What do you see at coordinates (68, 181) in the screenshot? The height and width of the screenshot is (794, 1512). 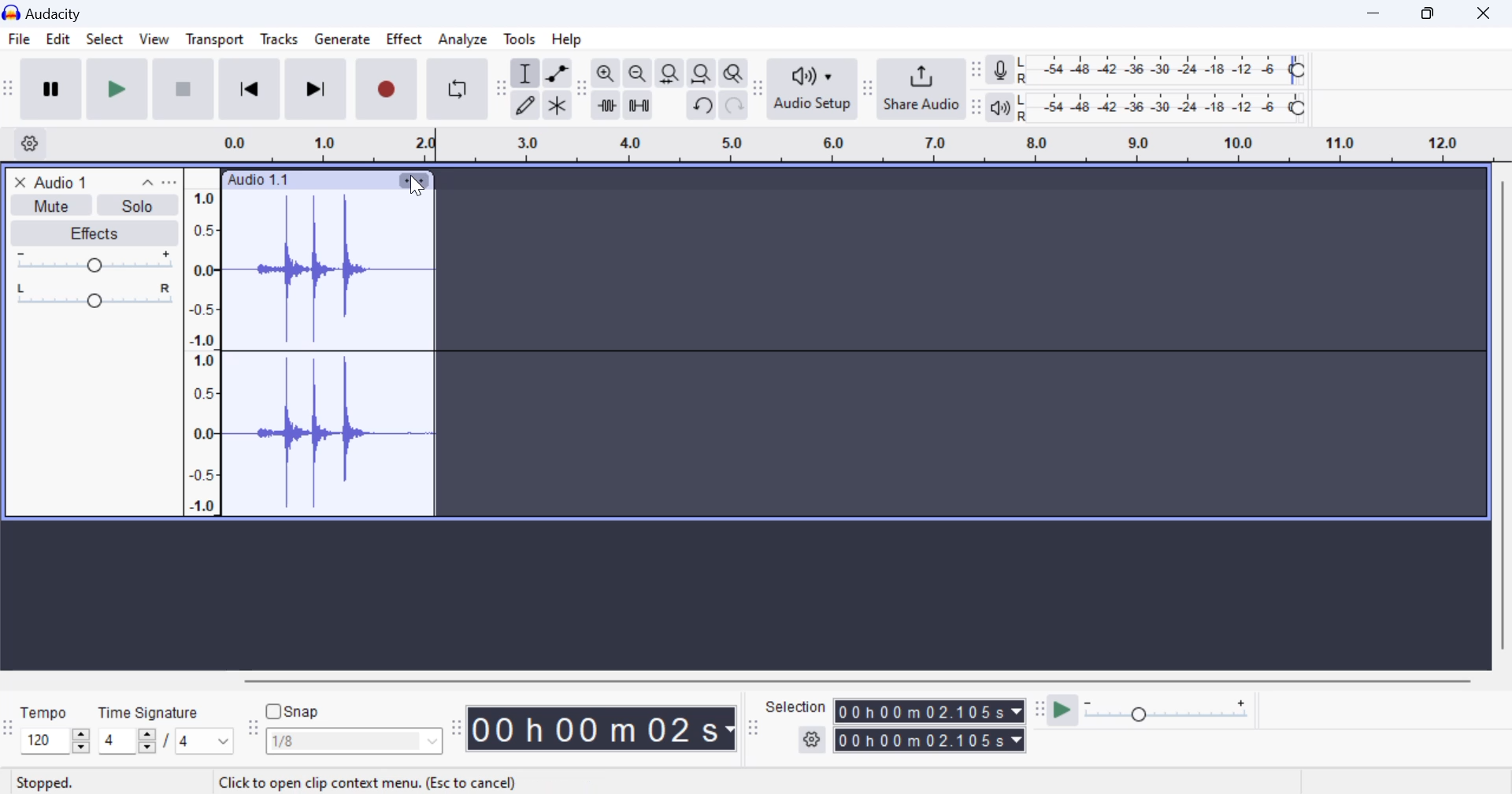 I see `Clip Title` at bounding box center [68, 181].